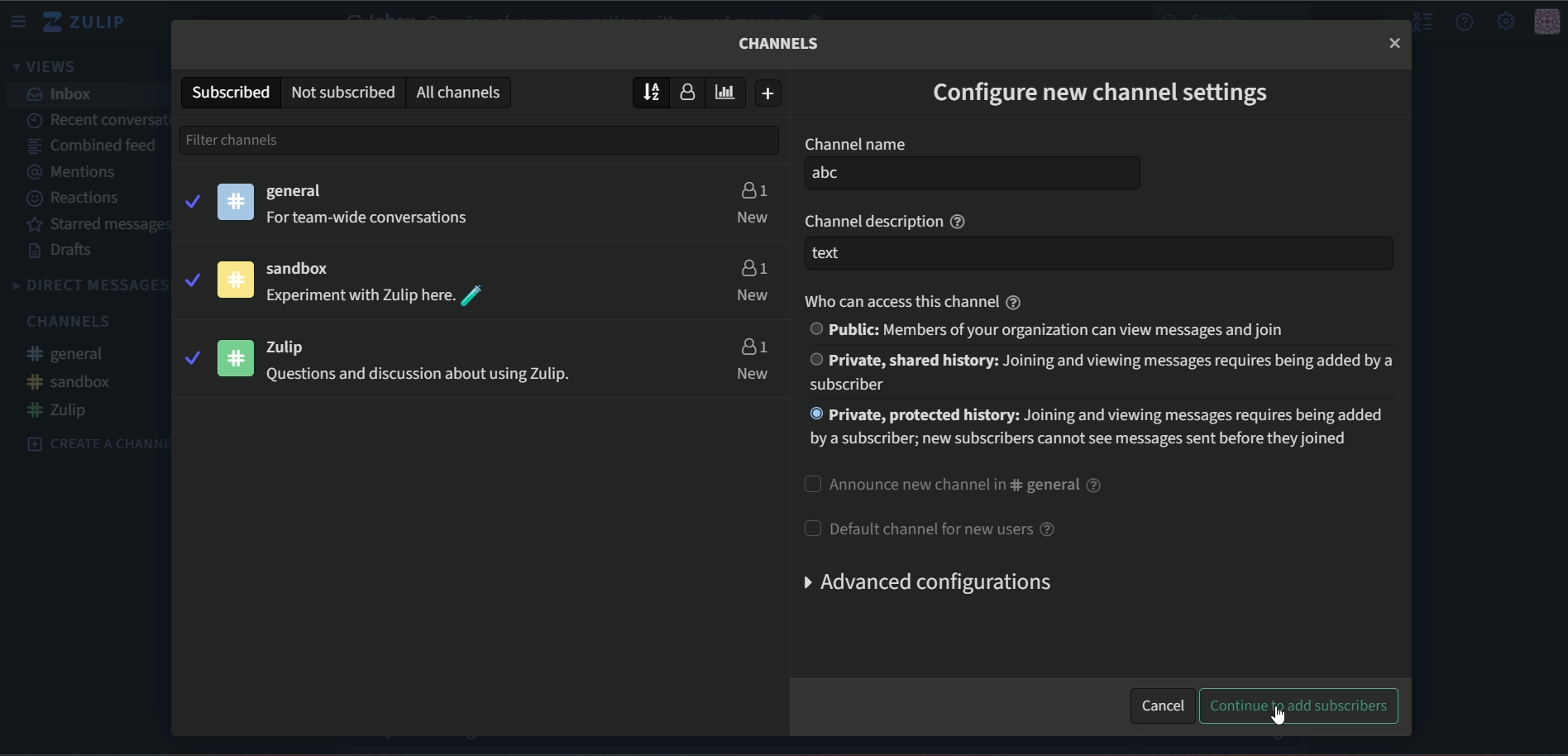 This screenshot has height=756, width=1568. Describe the element at coordinates (781, 43) in the screenshot. I see `channels` at that location.